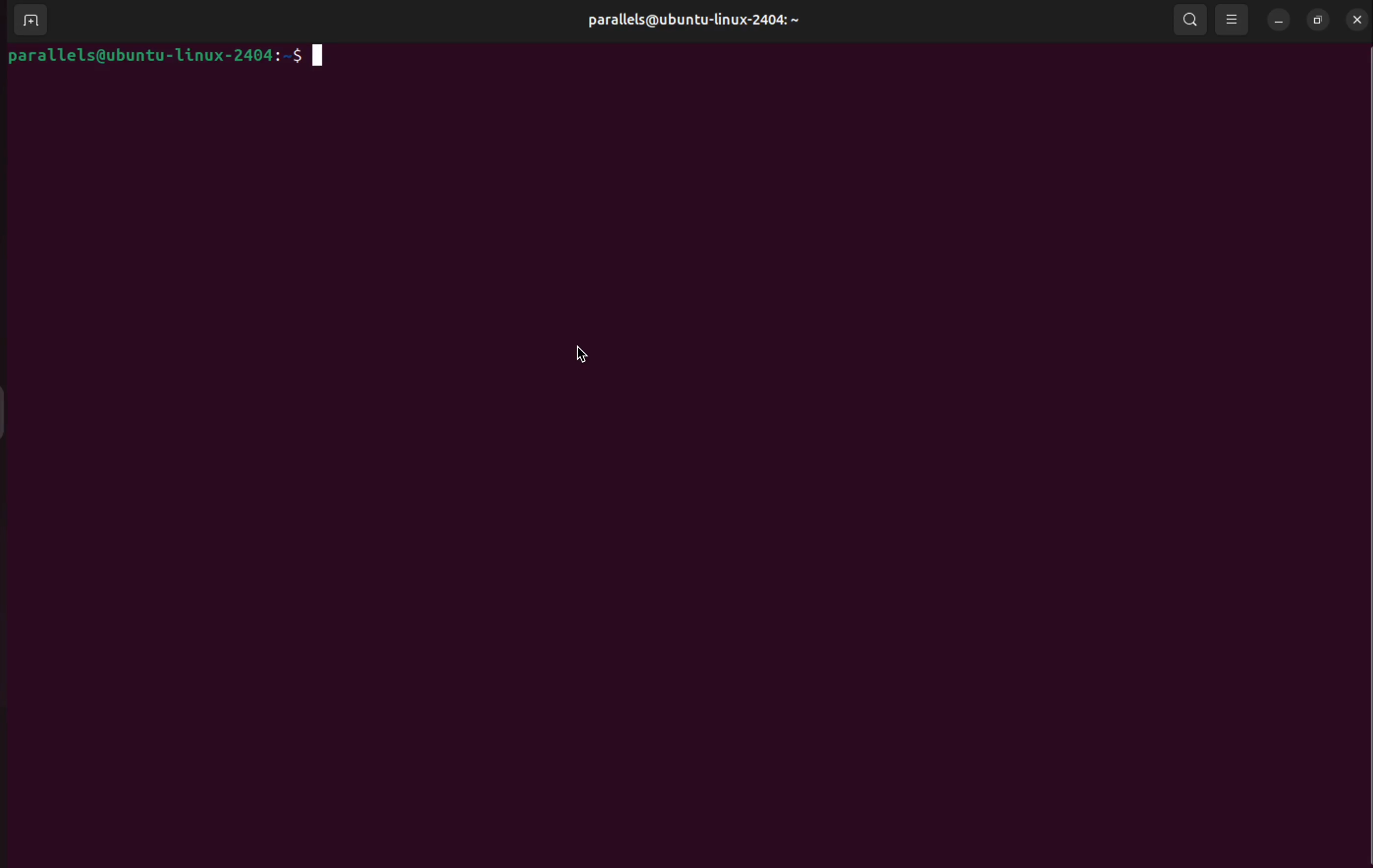 This screenshot has height=868, width=1373. What do you see at coordinates (1317, 20) in the screenshot?
I see `resize` at bounding box center [1317, 20].